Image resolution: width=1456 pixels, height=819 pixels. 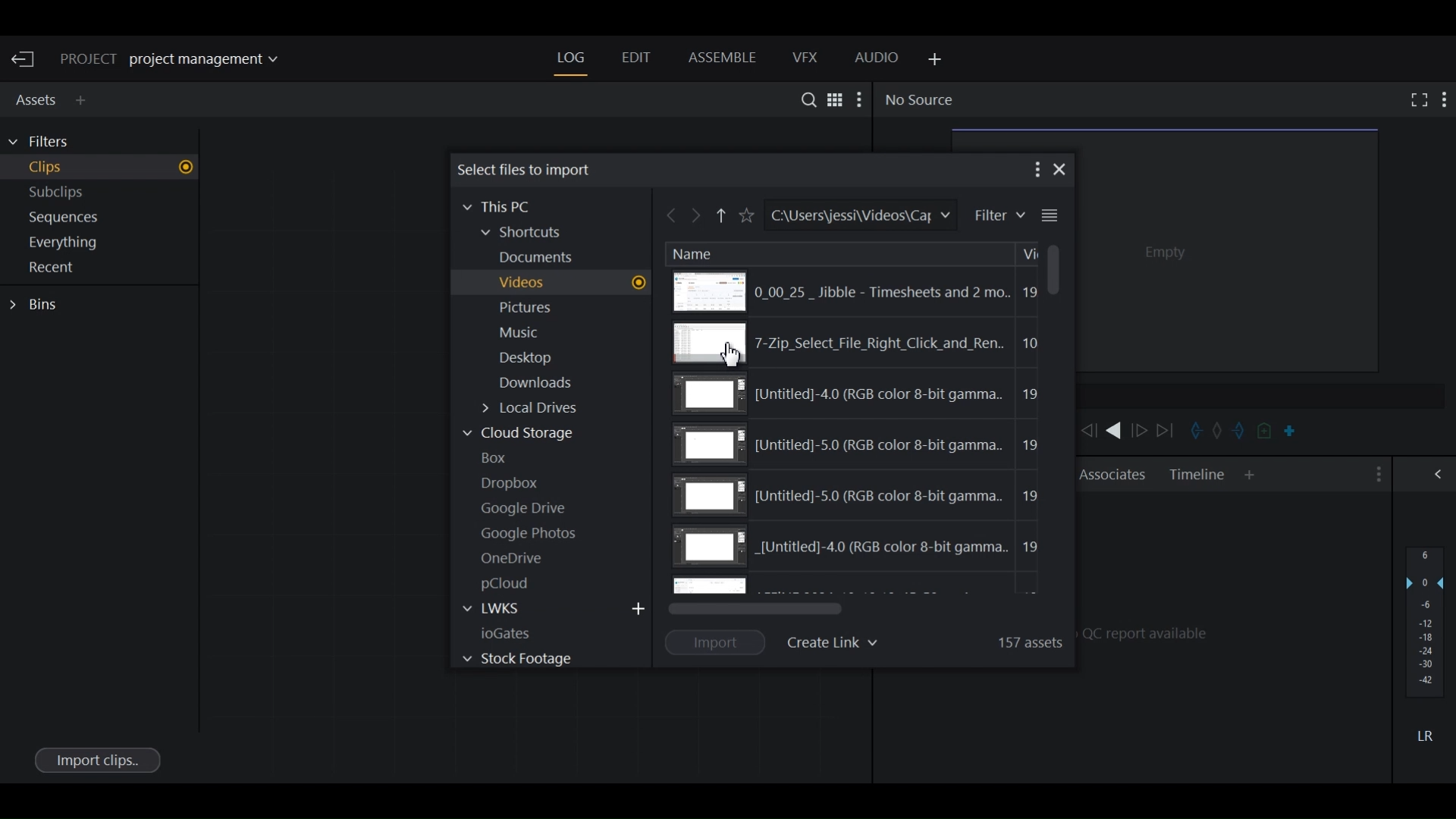 I want to click on Click to go to the parent folder, so click(x=722, y=218).